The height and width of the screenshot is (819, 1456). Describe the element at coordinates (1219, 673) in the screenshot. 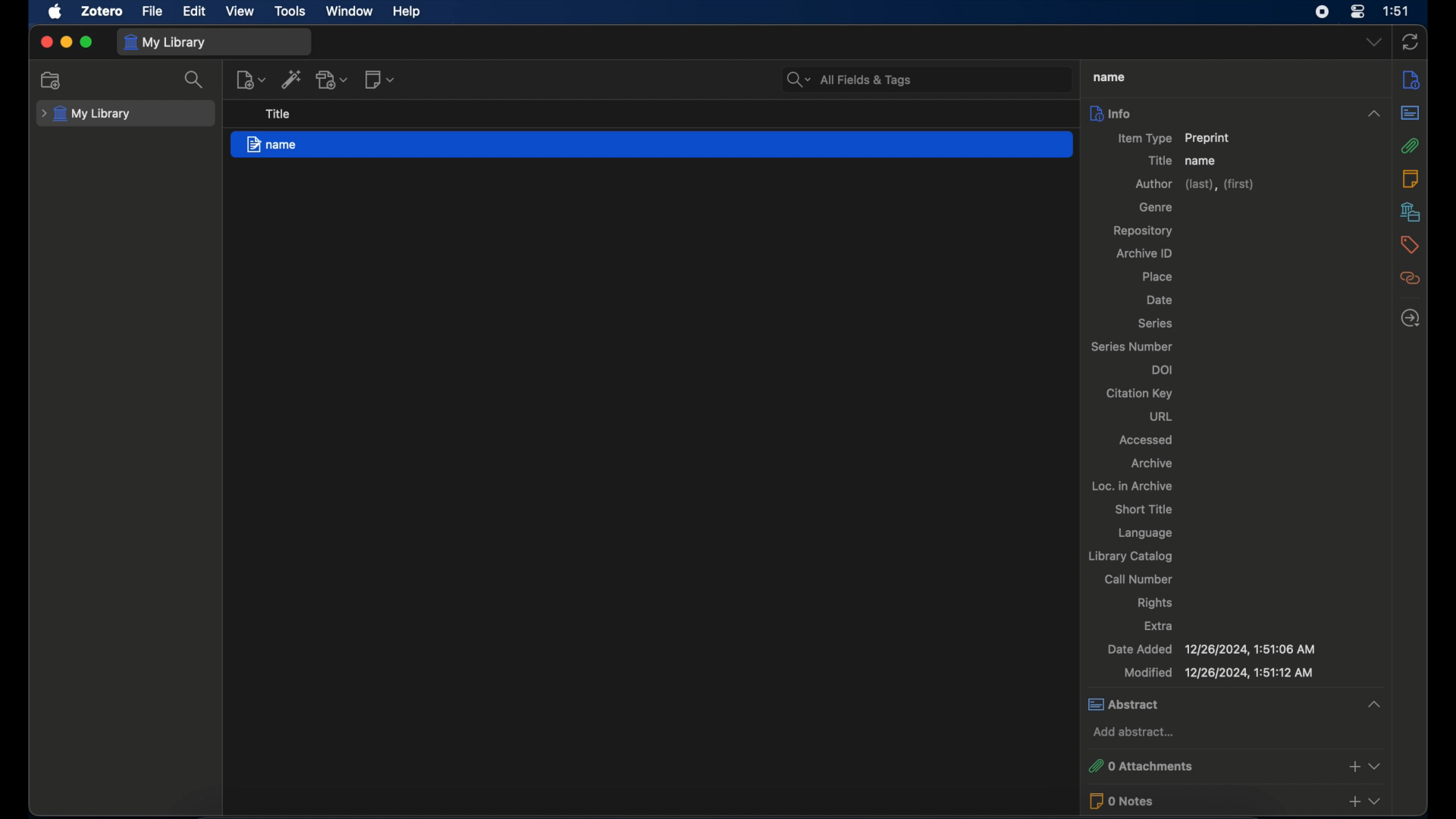

I see `modified 12/26/2024, 1:51:06 AM` at that location.